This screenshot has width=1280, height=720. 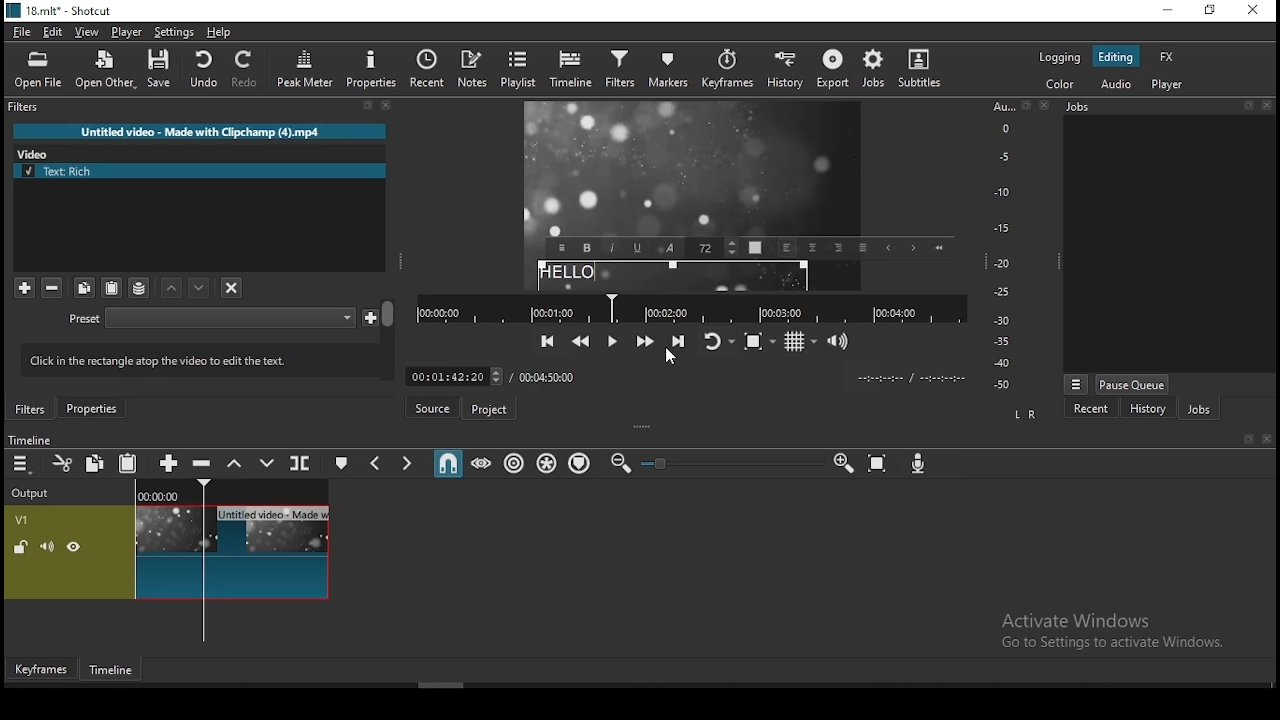 I want to click on pause queue, so click(x=1133, y=384).